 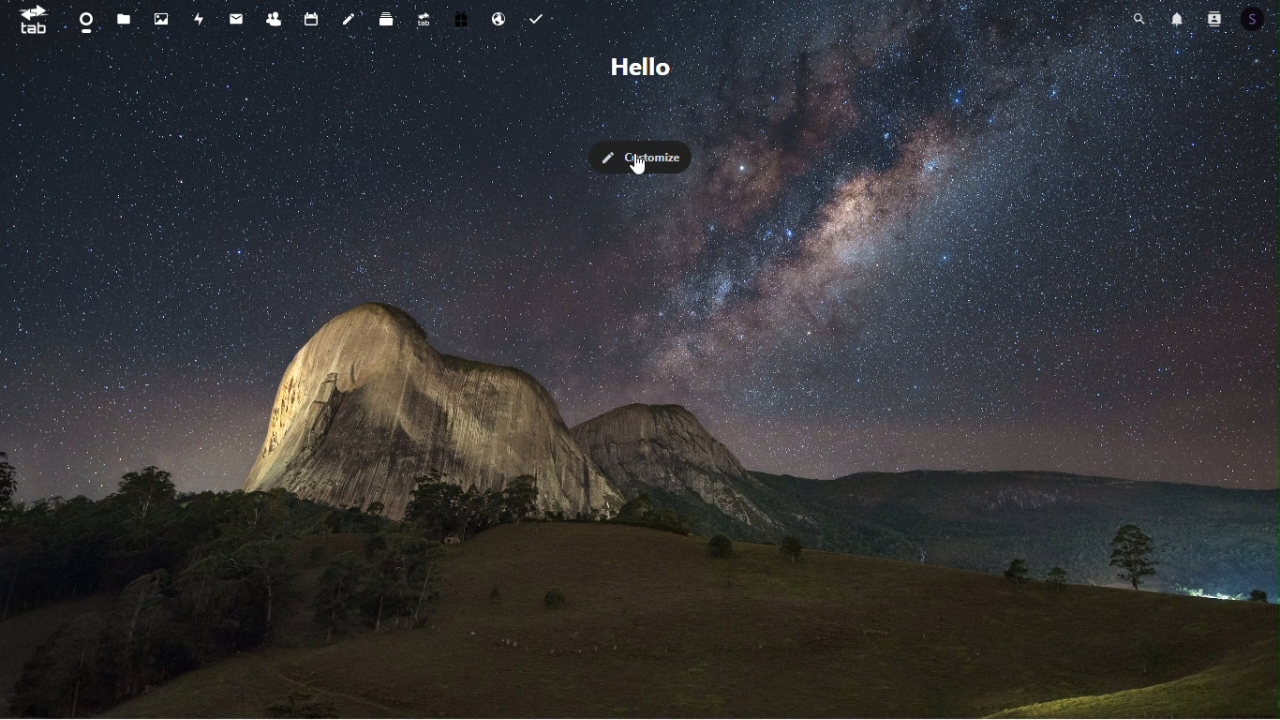 I want to click on upgrade, so click(x=423, y=21).